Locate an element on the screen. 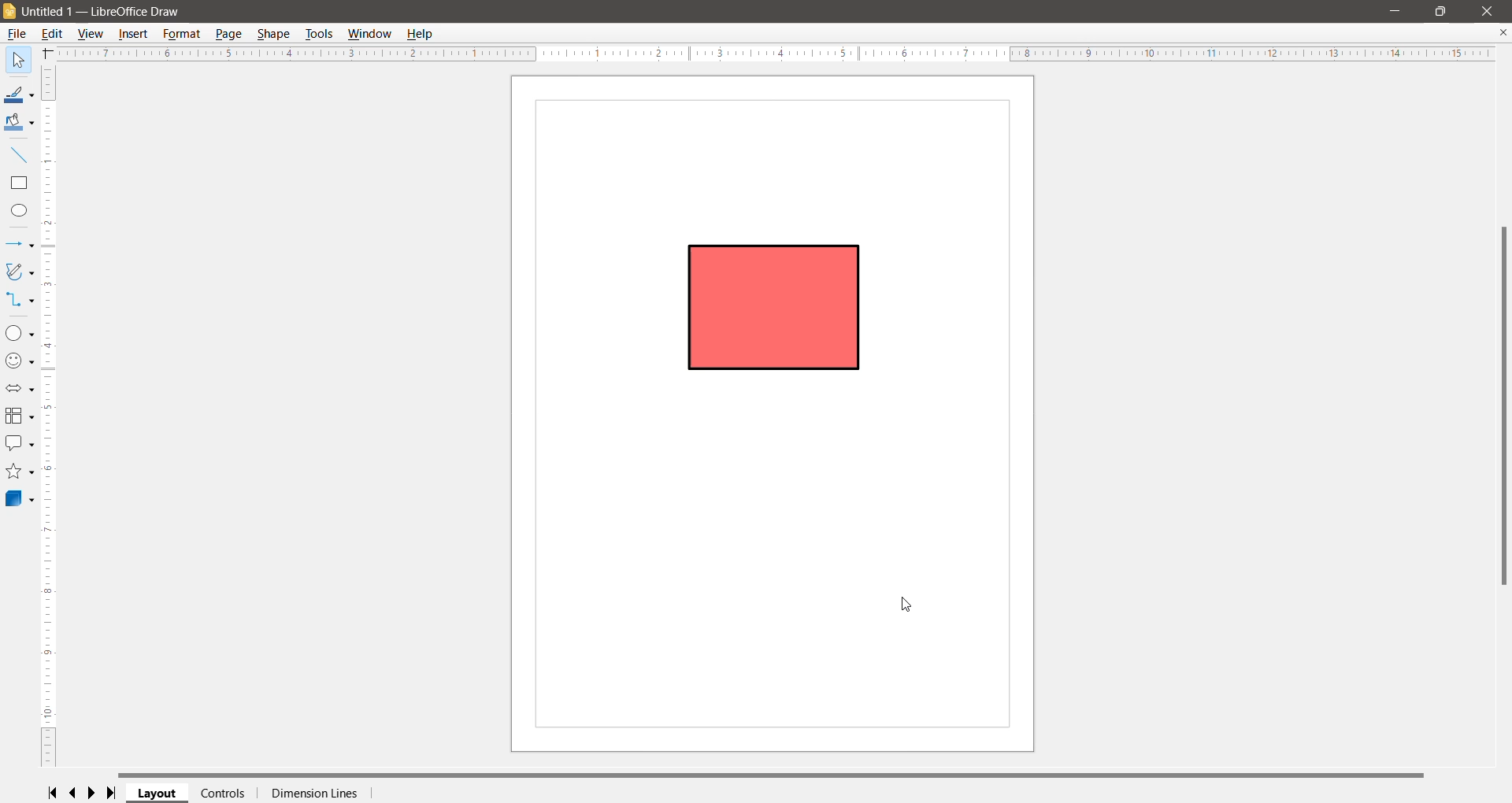  Shape is located at coordinates (275, 35).